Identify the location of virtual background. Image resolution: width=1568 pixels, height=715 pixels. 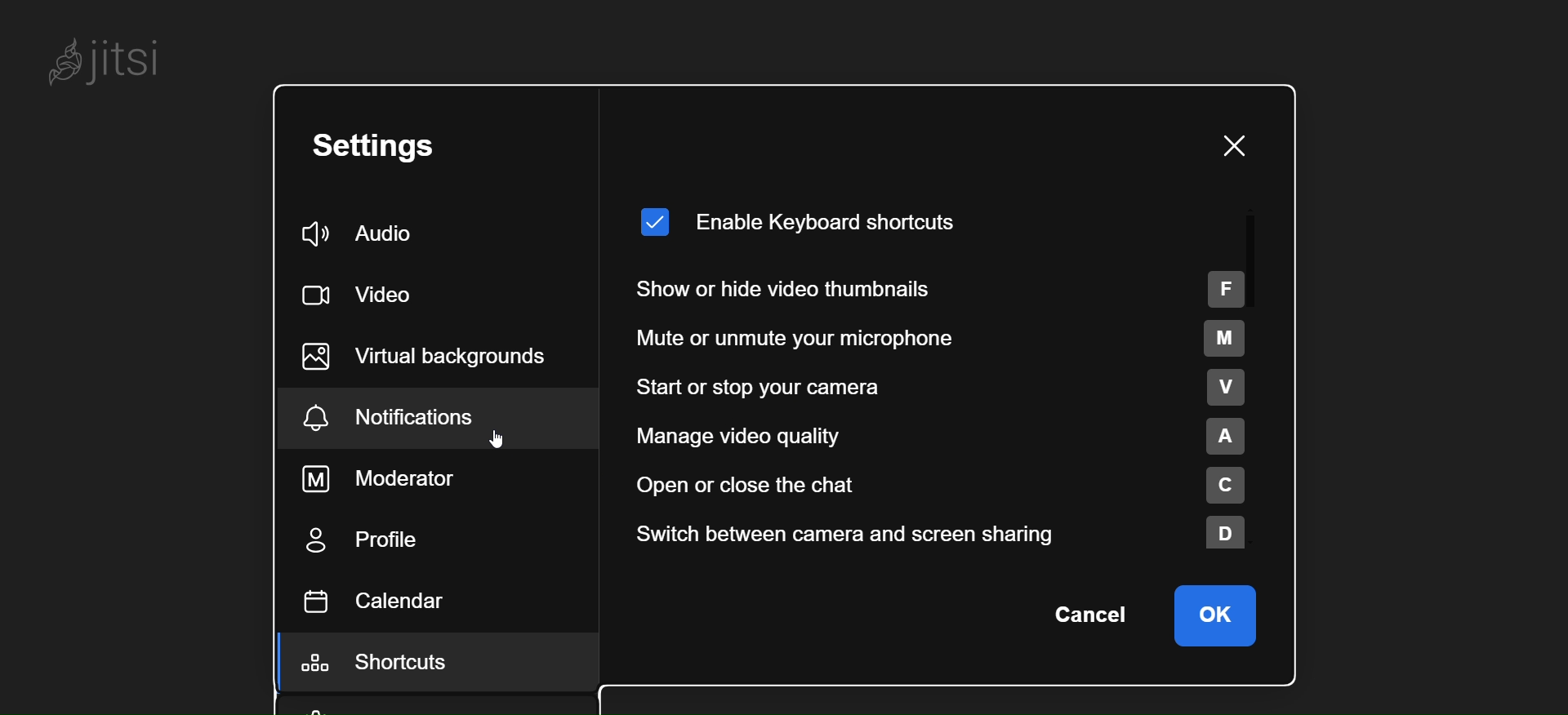
(426, 359).